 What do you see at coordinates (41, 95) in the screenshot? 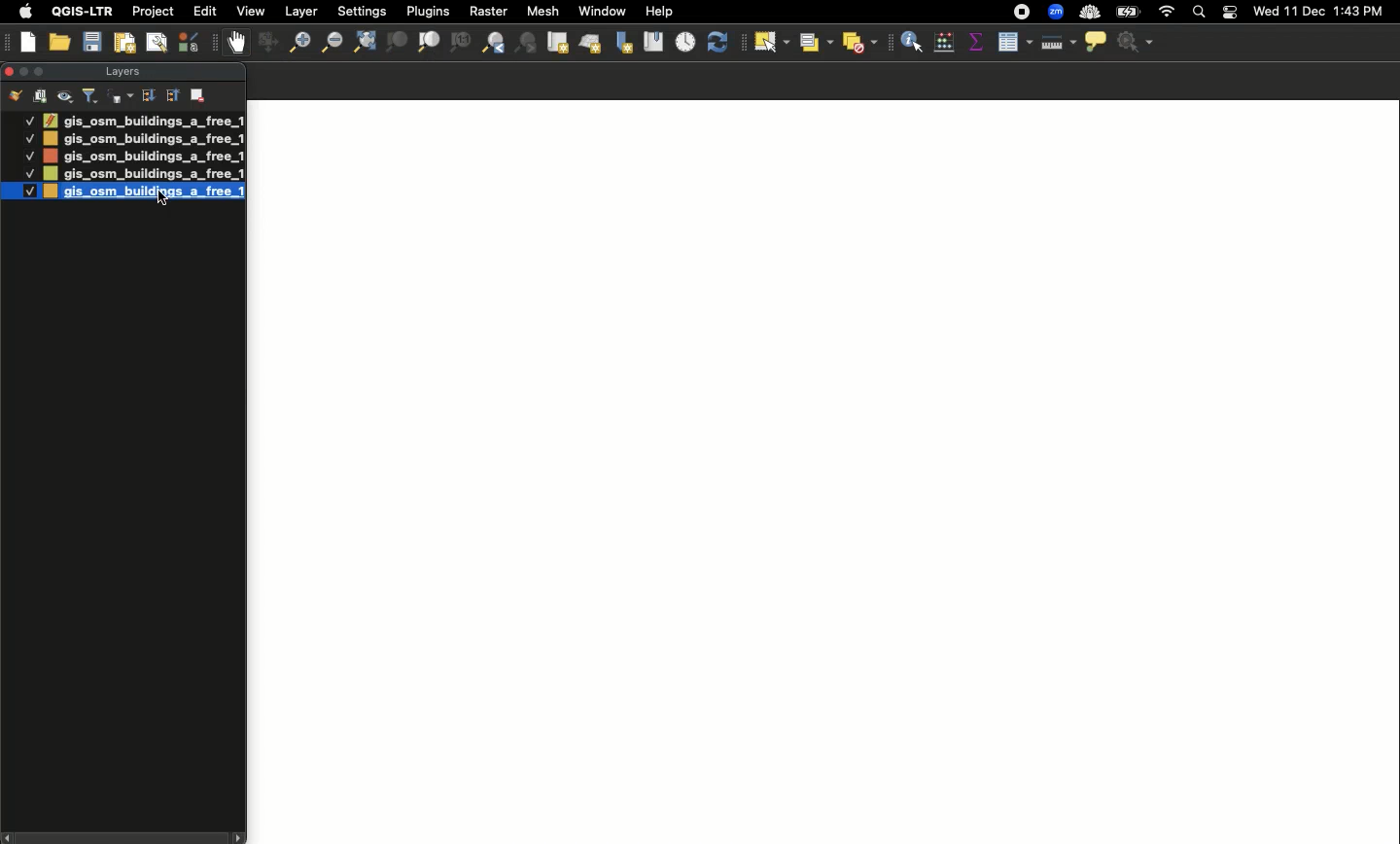
I see `Add group` at bounding box center [41, 95].